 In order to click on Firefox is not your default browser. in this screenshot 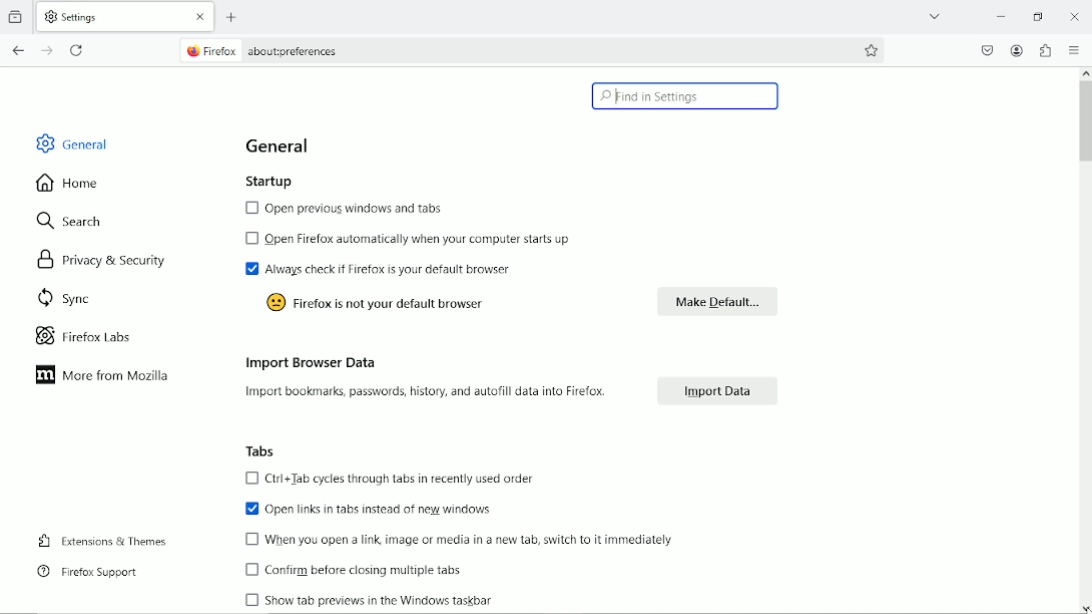, I will do `click(380, 303)`.